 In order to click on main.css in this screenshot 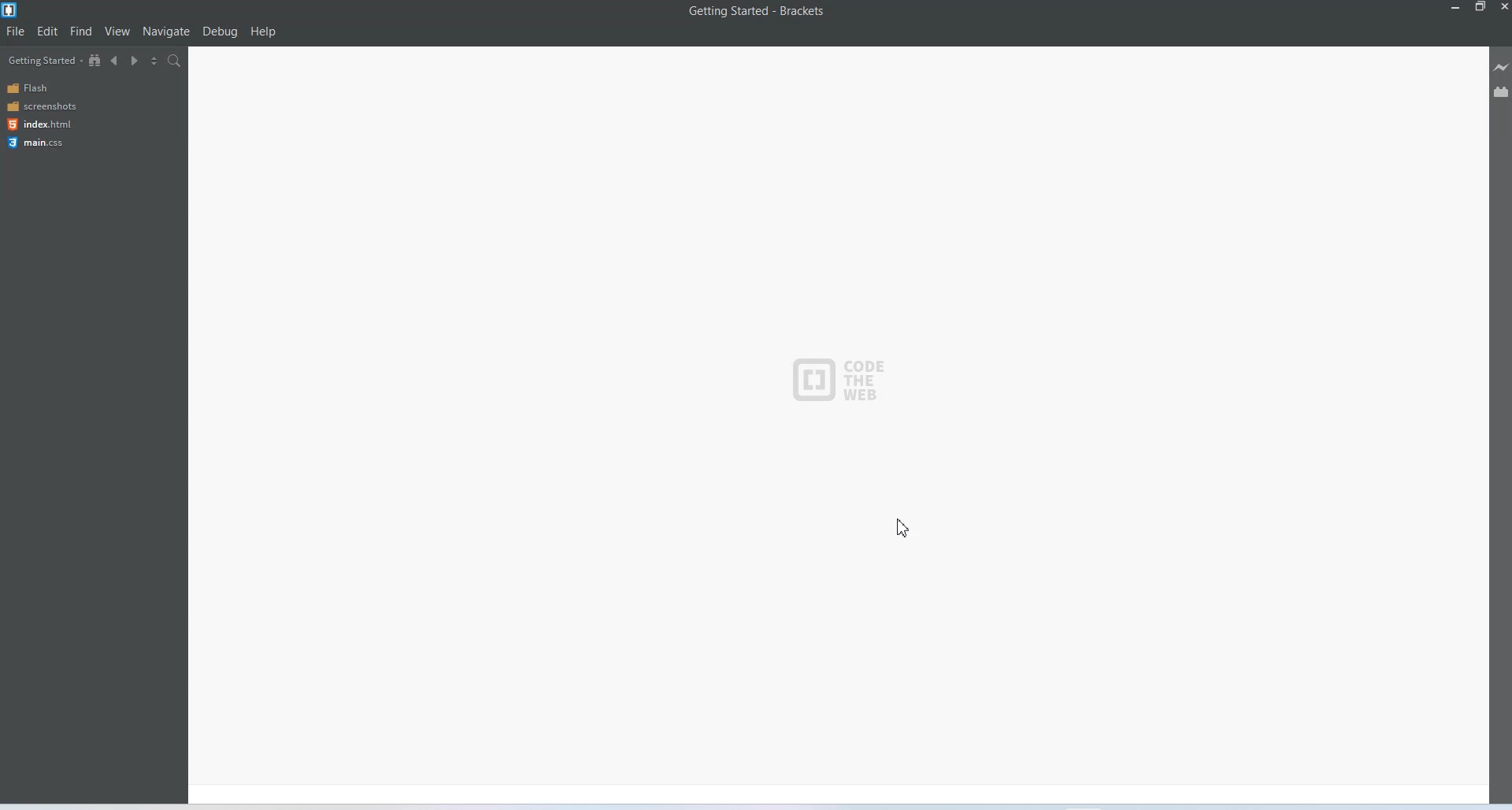, I will do `click(38, 143)`.